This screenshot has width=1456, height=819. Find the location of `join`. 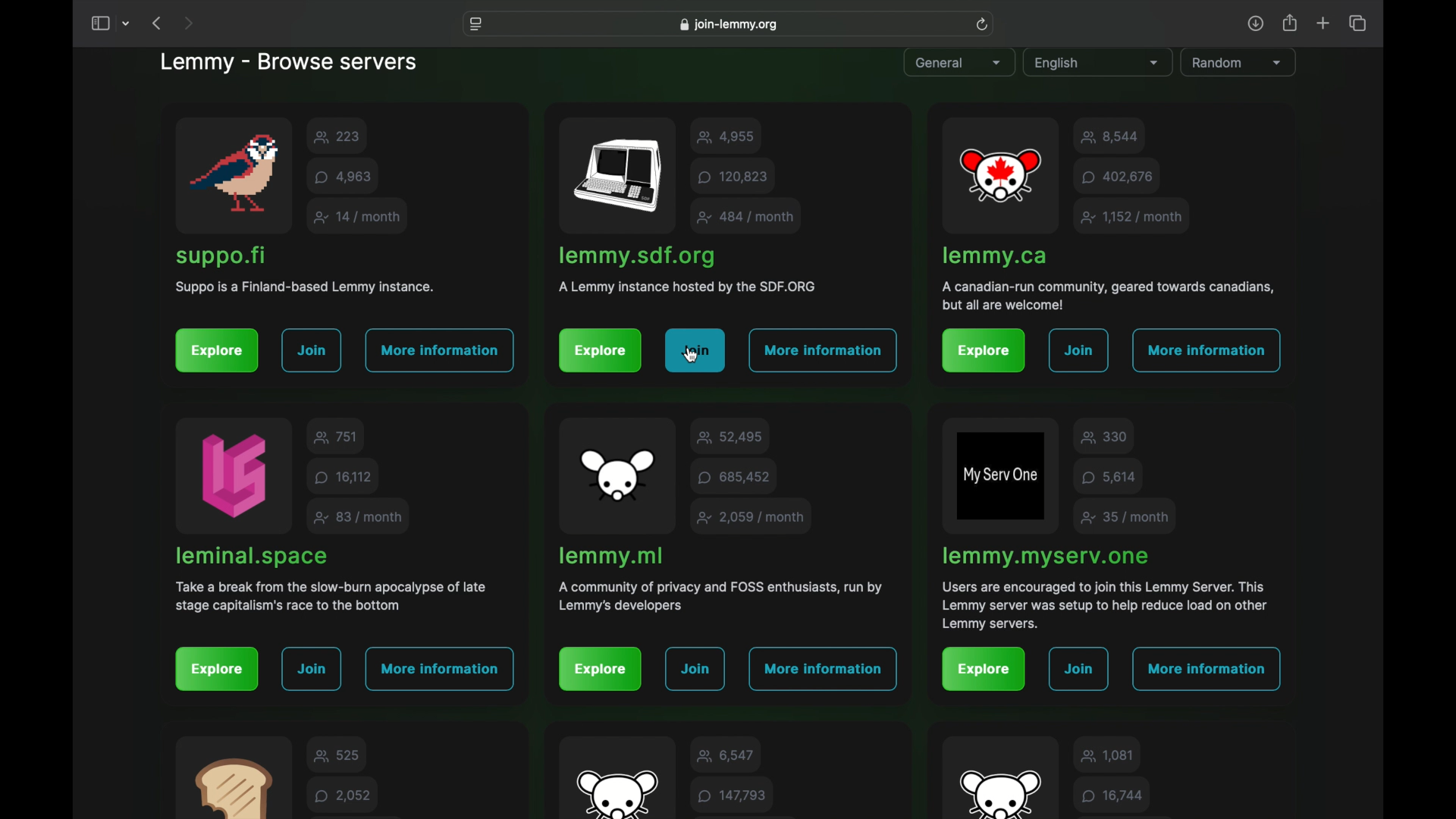

join is located at coordinates (696, 352).